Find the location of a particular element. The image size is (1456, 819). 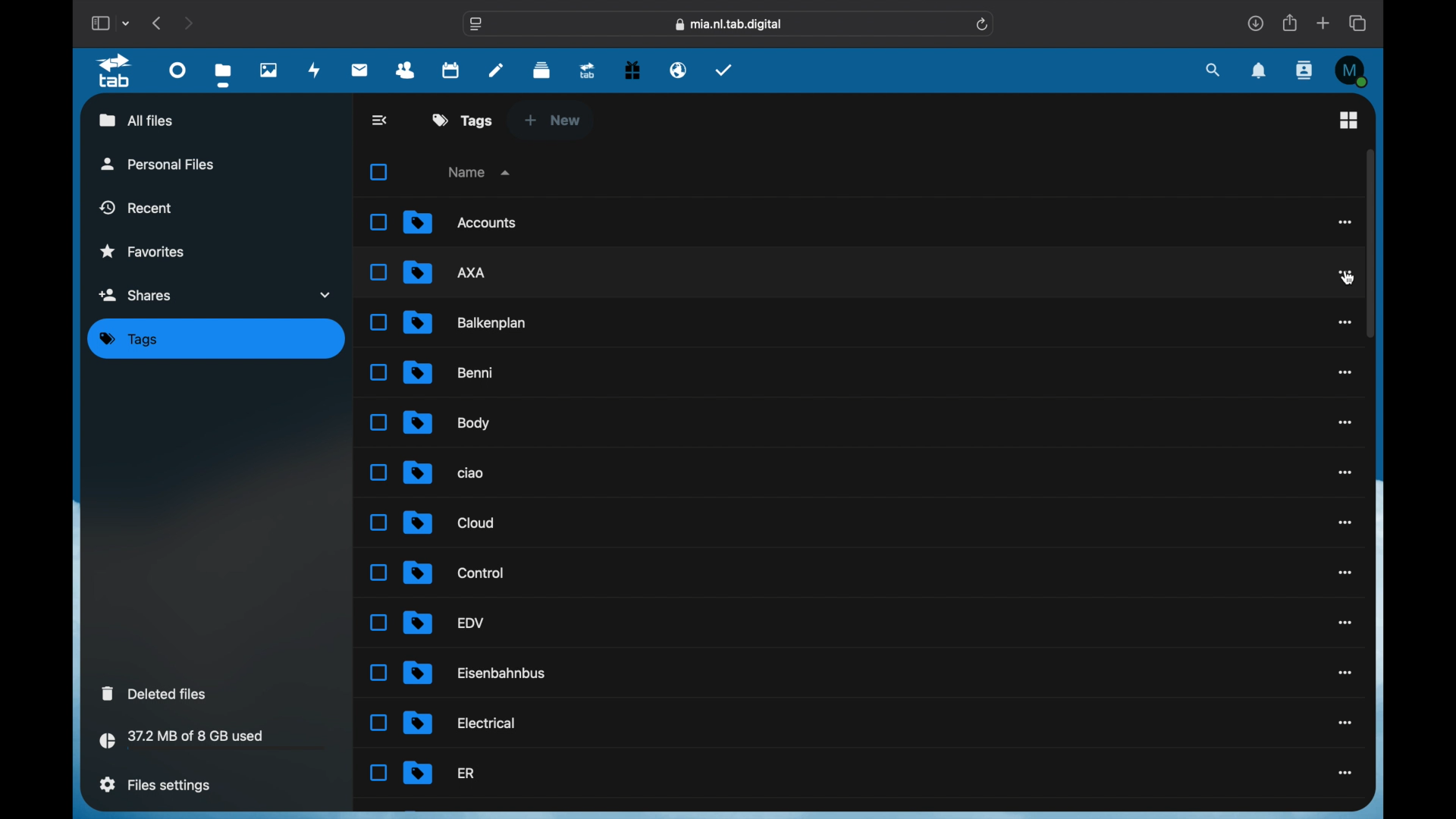

Unselected Checkbox is located at coordinates (377, 672).